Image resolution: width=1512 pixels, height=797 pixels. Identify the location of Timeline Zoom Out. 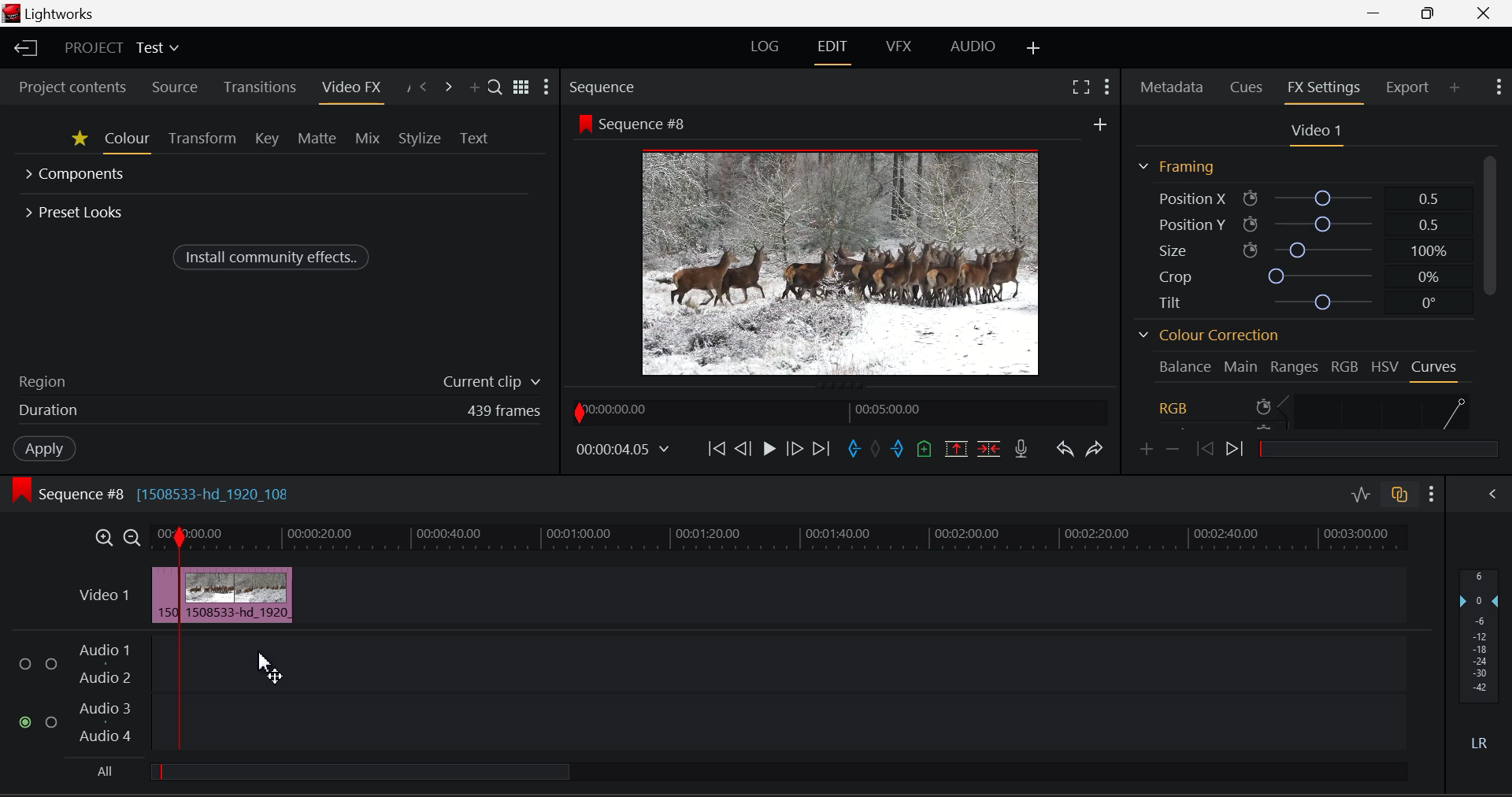
(131, 538).